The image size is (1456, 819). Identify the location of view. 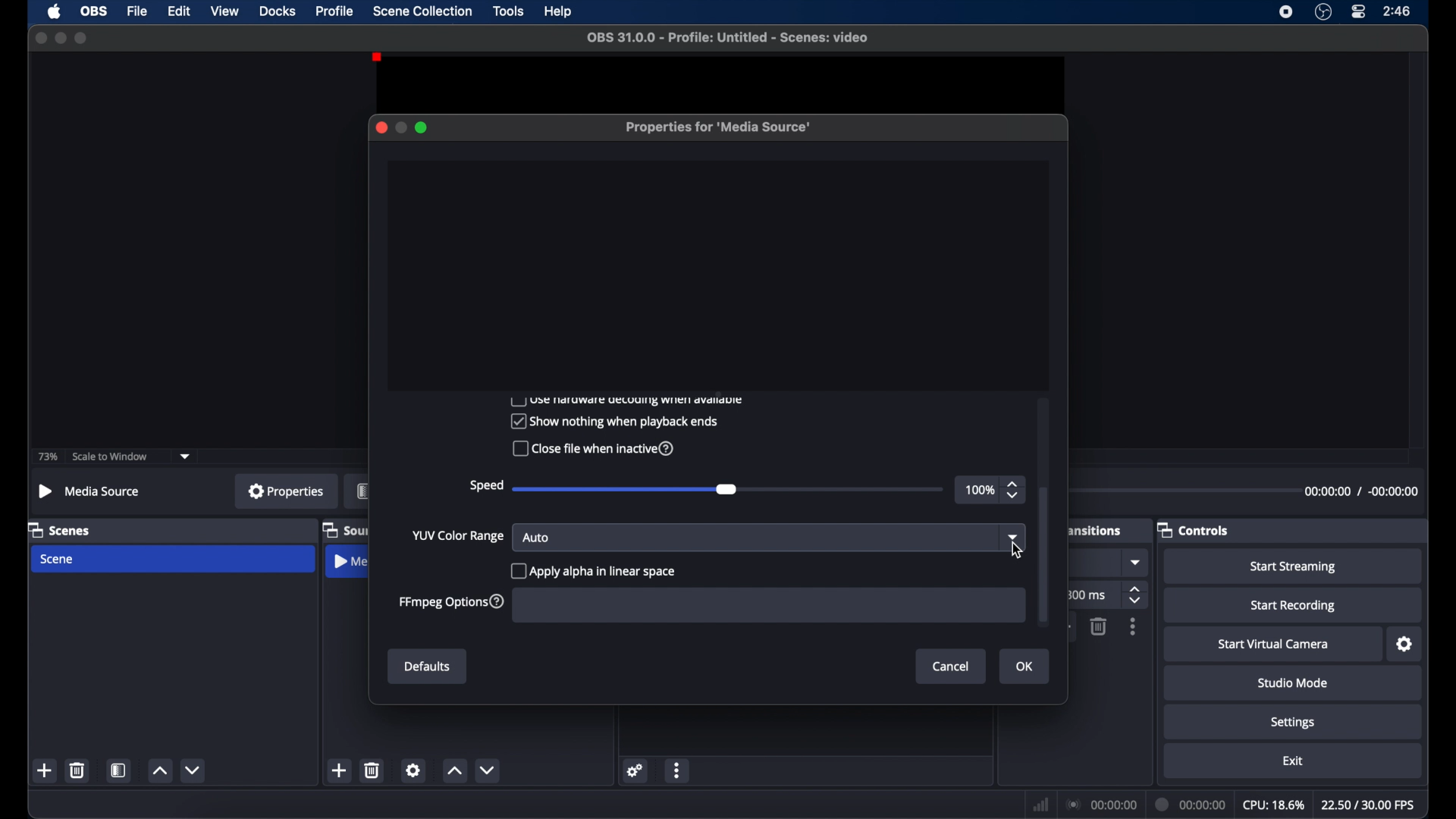
(224, 11).